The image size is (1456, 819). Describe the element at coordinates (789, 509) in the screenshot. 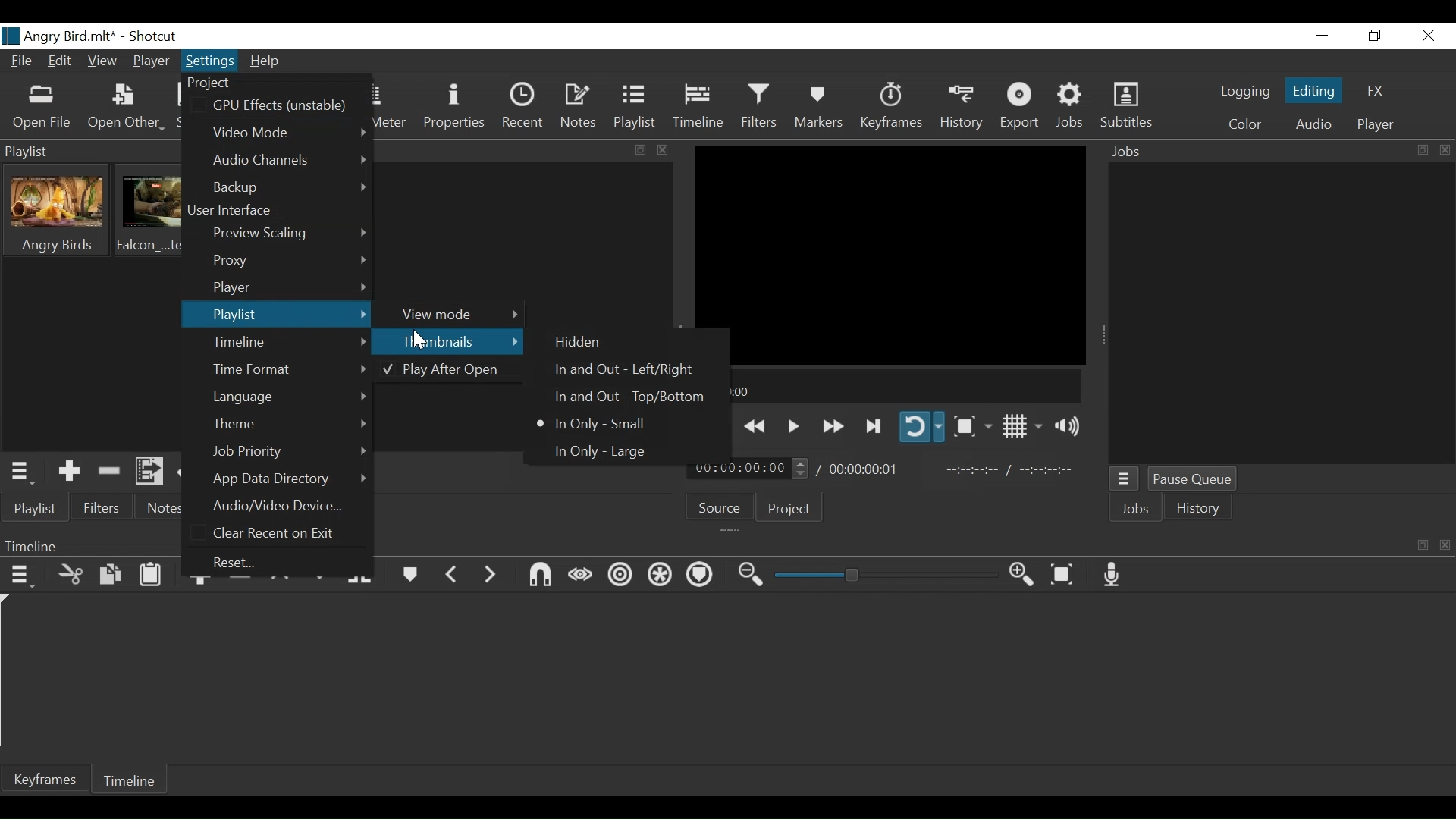

I see `Project` at that location.